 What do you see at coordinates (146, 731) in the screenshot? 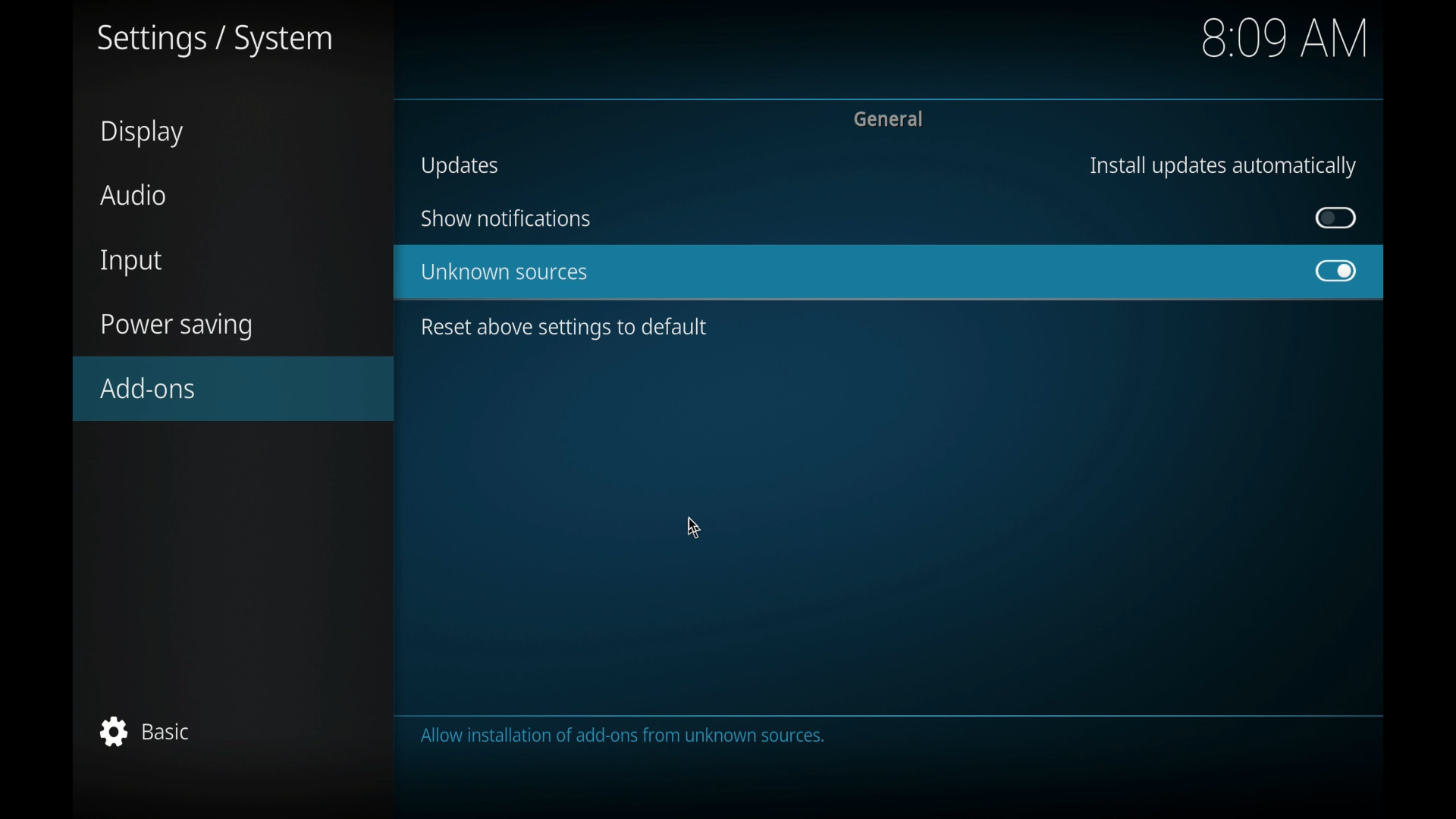
I see `basic` at bounding box center [146, 731].